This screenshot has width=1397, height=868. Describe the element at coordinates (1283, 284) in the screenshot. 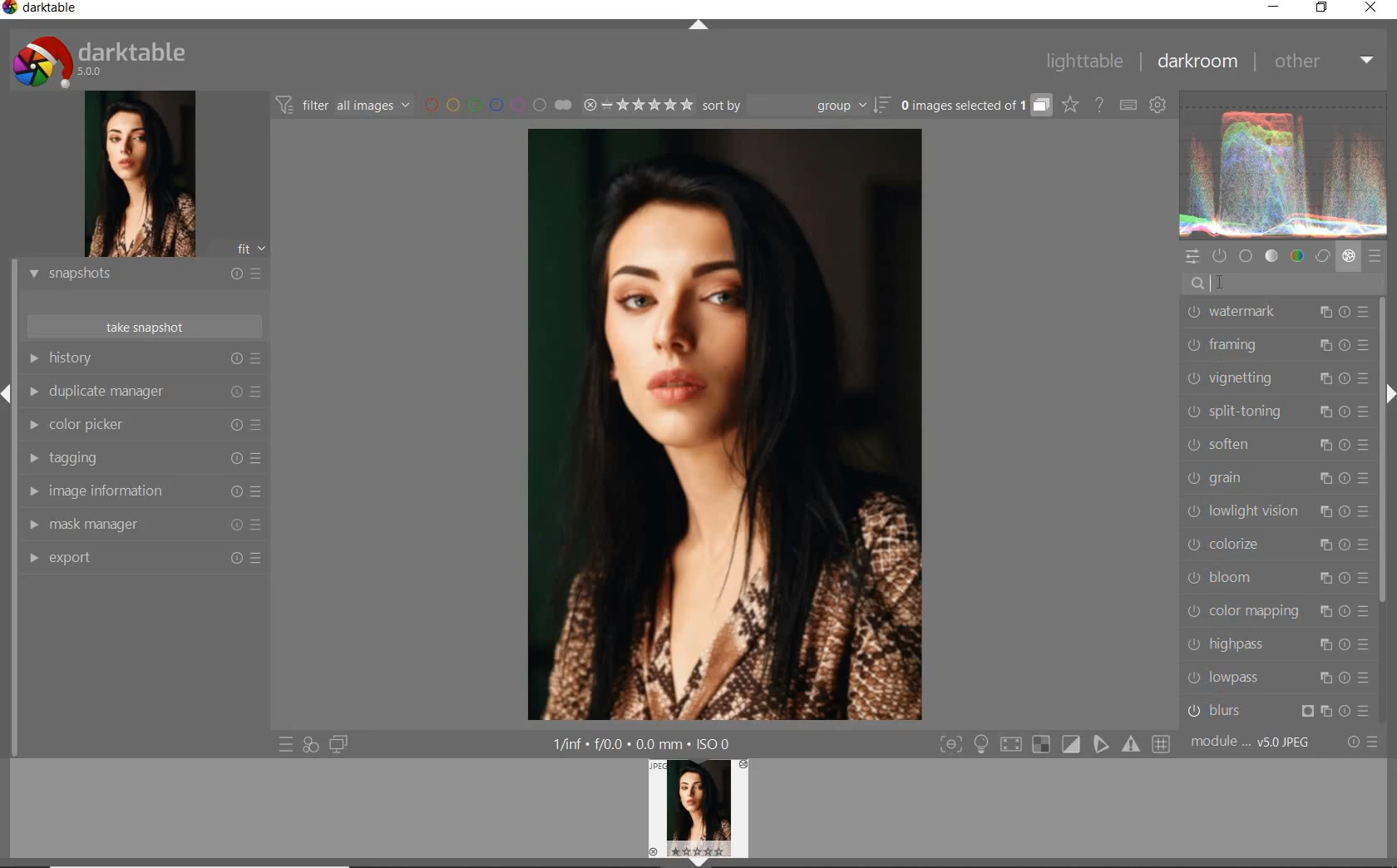

I see `search modules by name` at that location.